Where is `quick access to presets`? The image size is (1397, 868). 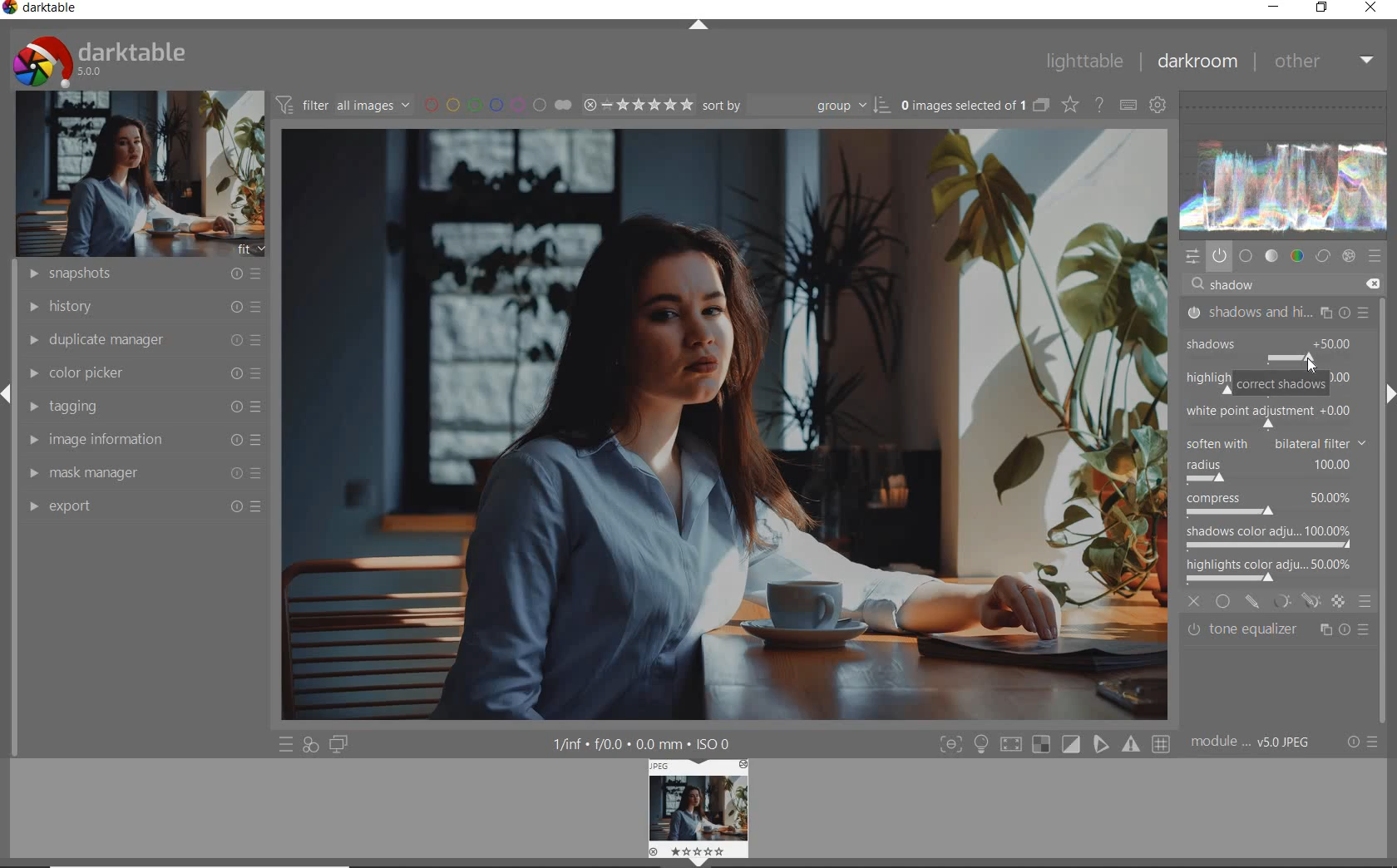 quick access to presets is located at coordinates (286, 744).